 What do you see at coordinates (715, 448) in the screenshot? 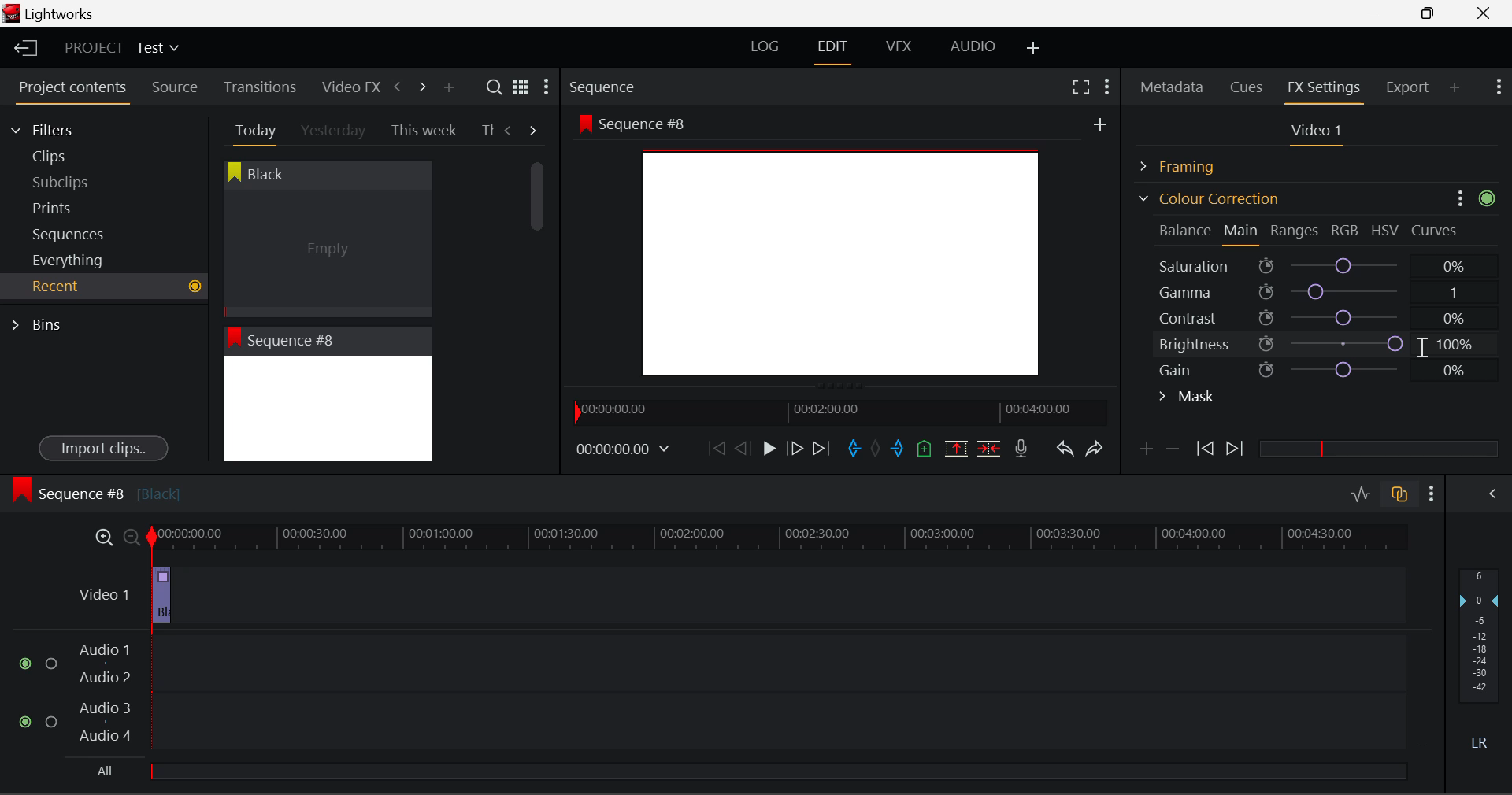
I see `To Start` at bounding box center [715, 448].